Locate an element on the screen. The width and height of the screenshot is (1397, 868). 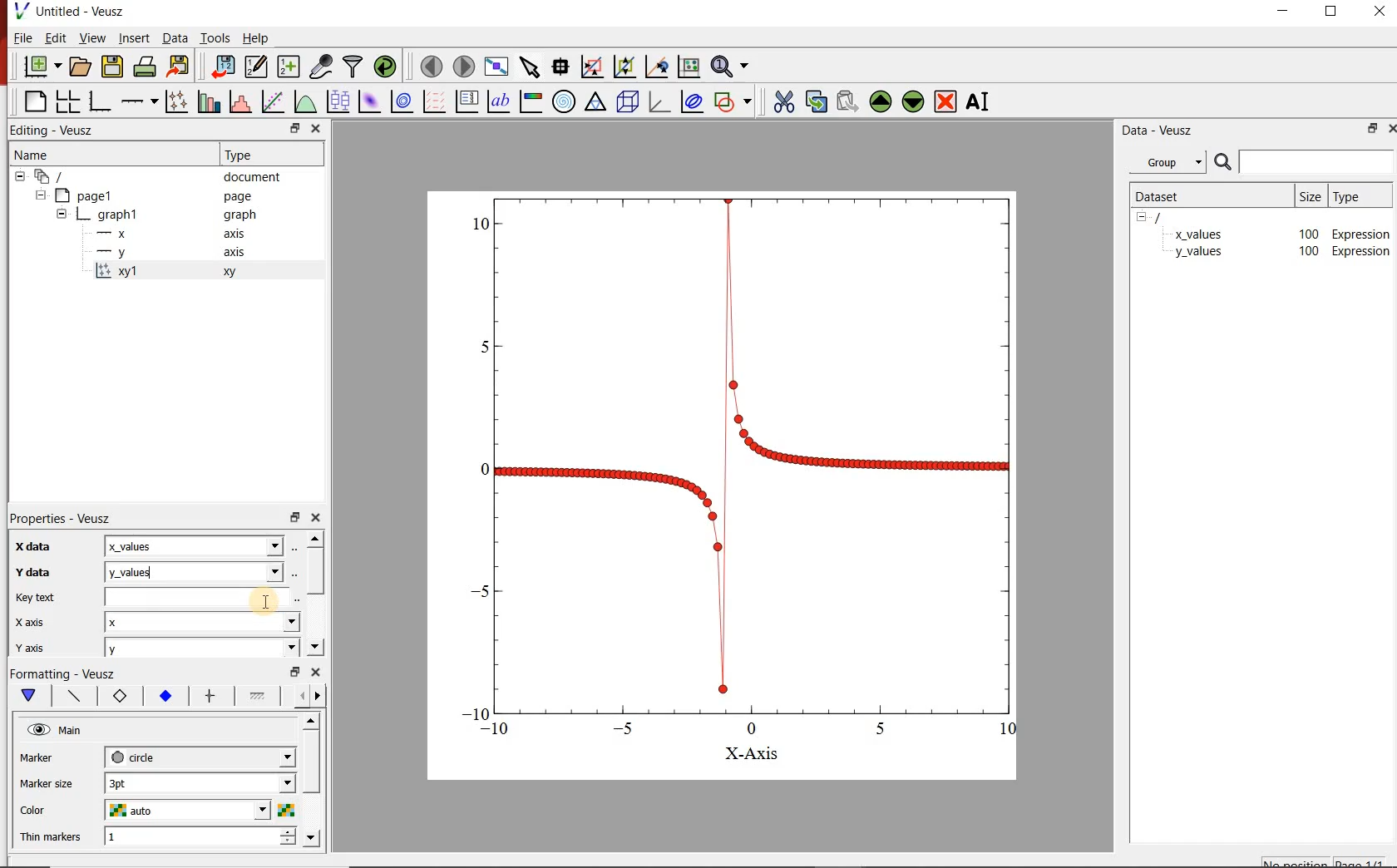
Formatting - Veusz is located at coordinates (67, 673).